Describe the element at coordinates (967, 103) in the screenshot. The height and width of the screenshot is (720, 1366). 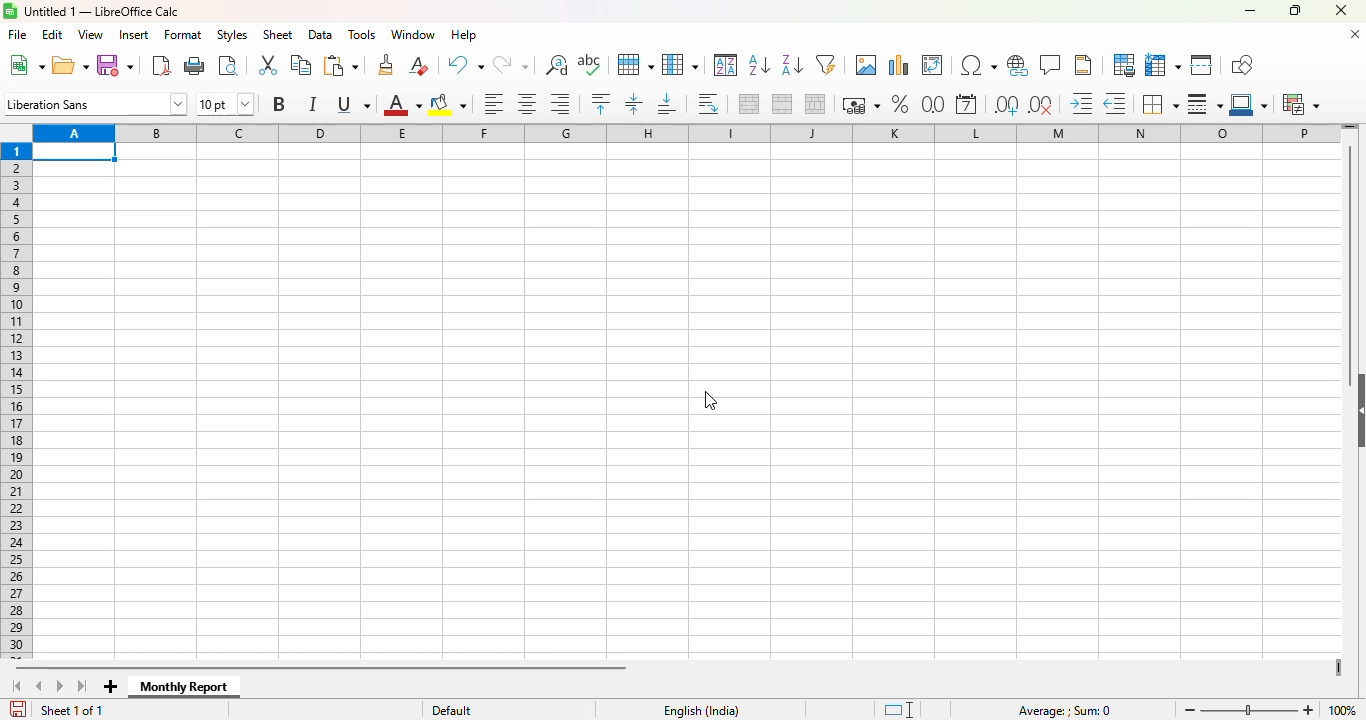
I see `format as date` at that location.